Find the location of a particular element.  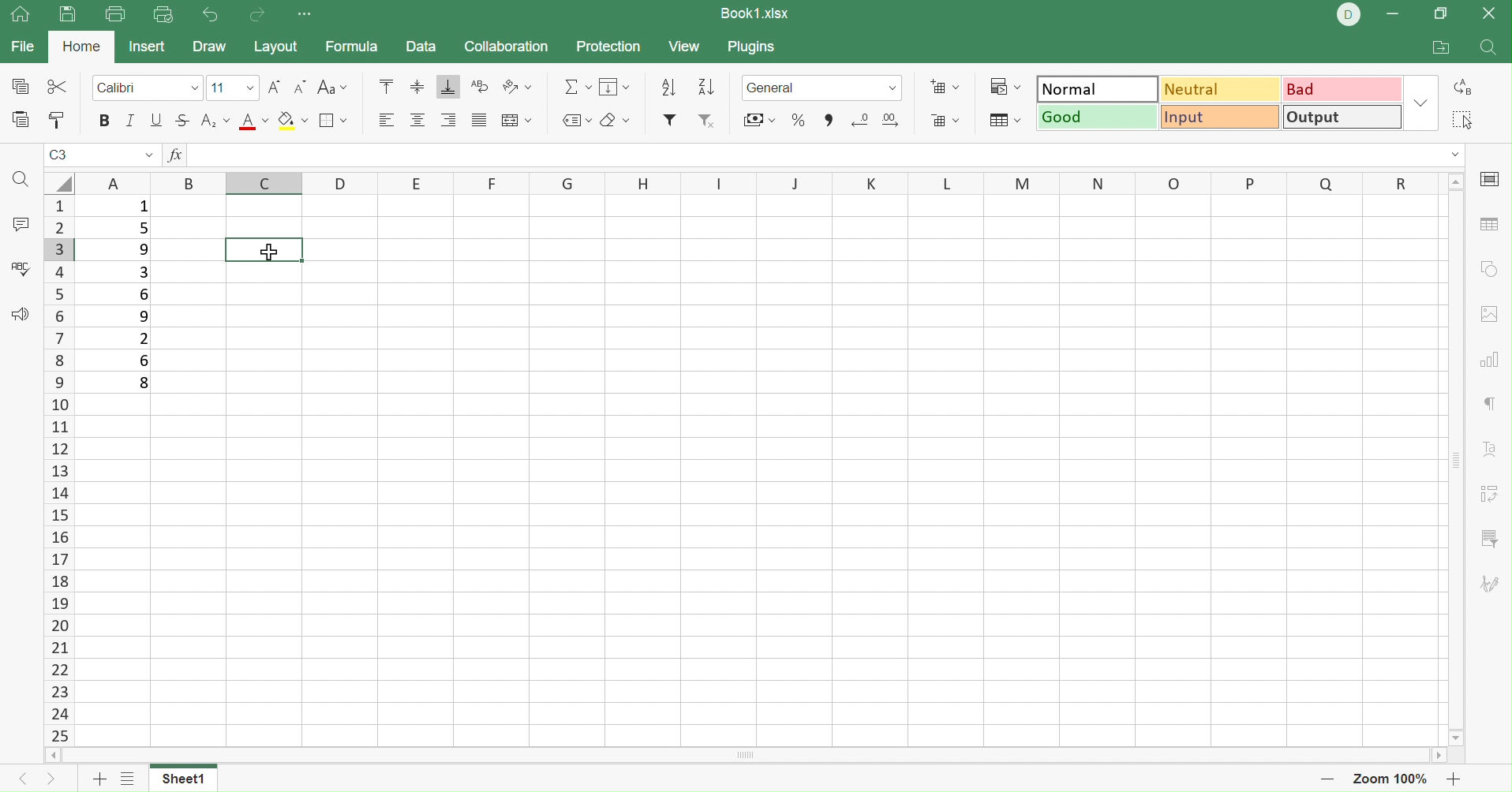

Copy style is located at coordinates (55, 121).